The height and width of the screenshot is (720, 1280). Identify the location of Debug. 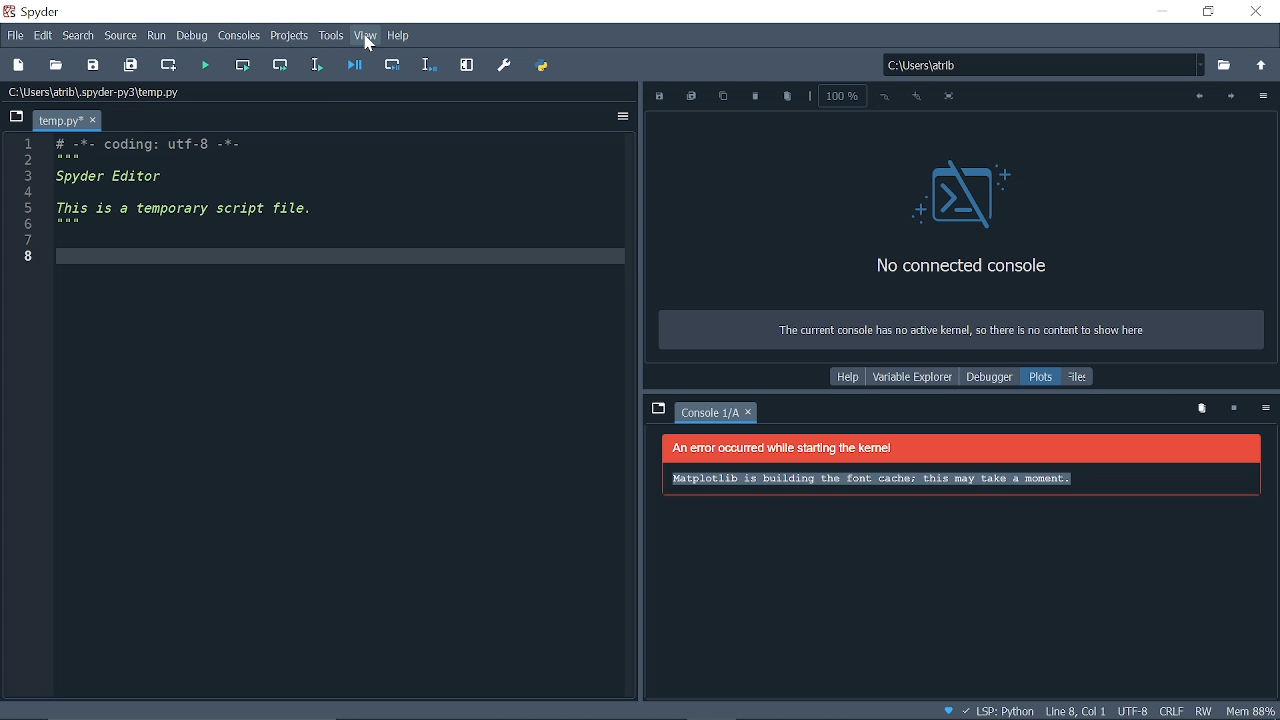
(194, 37).